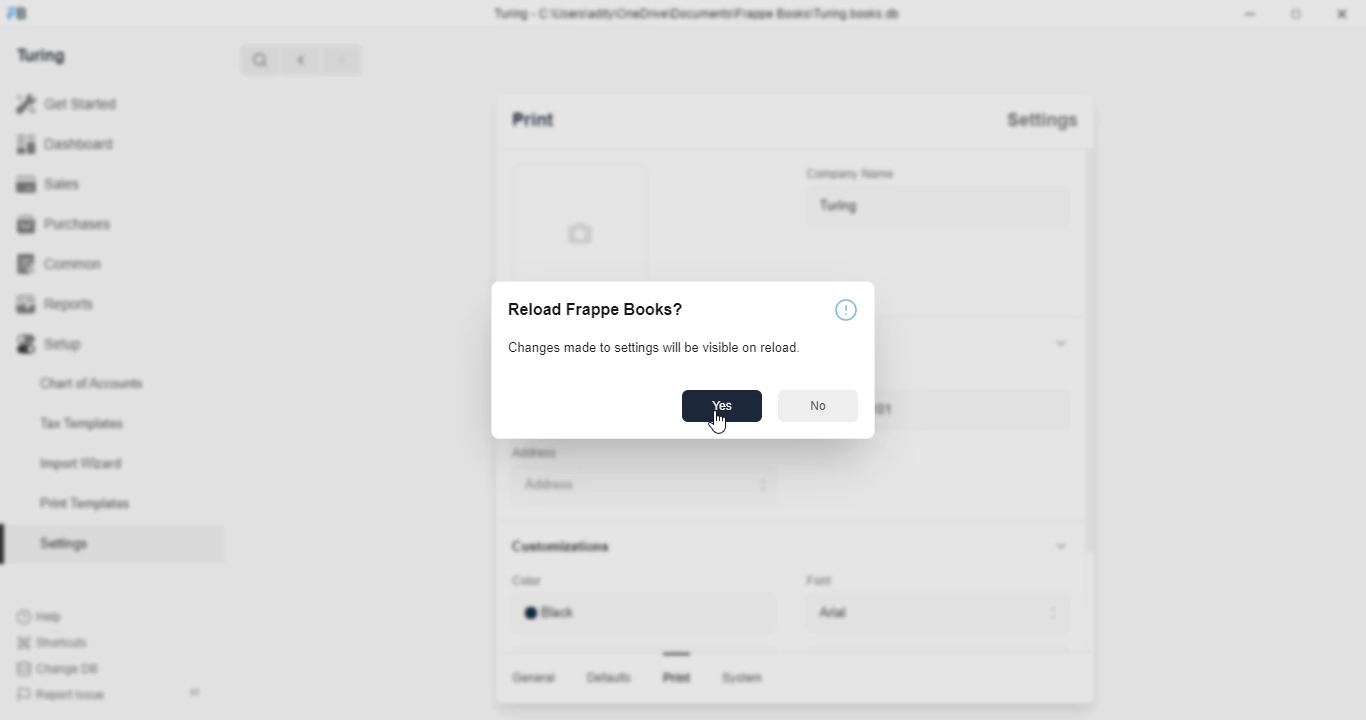  I want to click on Chart of Accounts, so click(100, 382).